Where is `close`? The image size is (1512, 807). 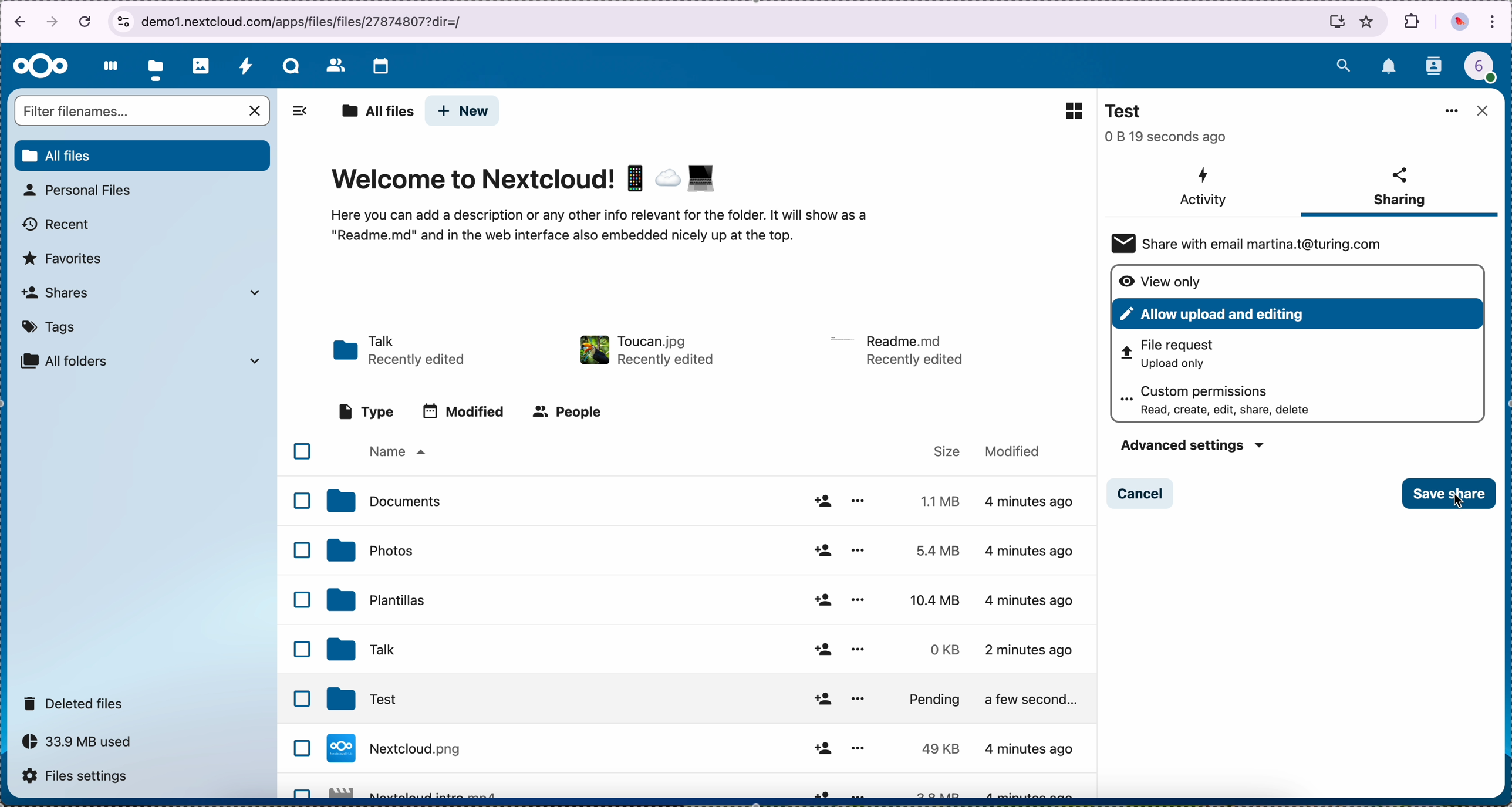 close is located at coordinates (1481, 111).